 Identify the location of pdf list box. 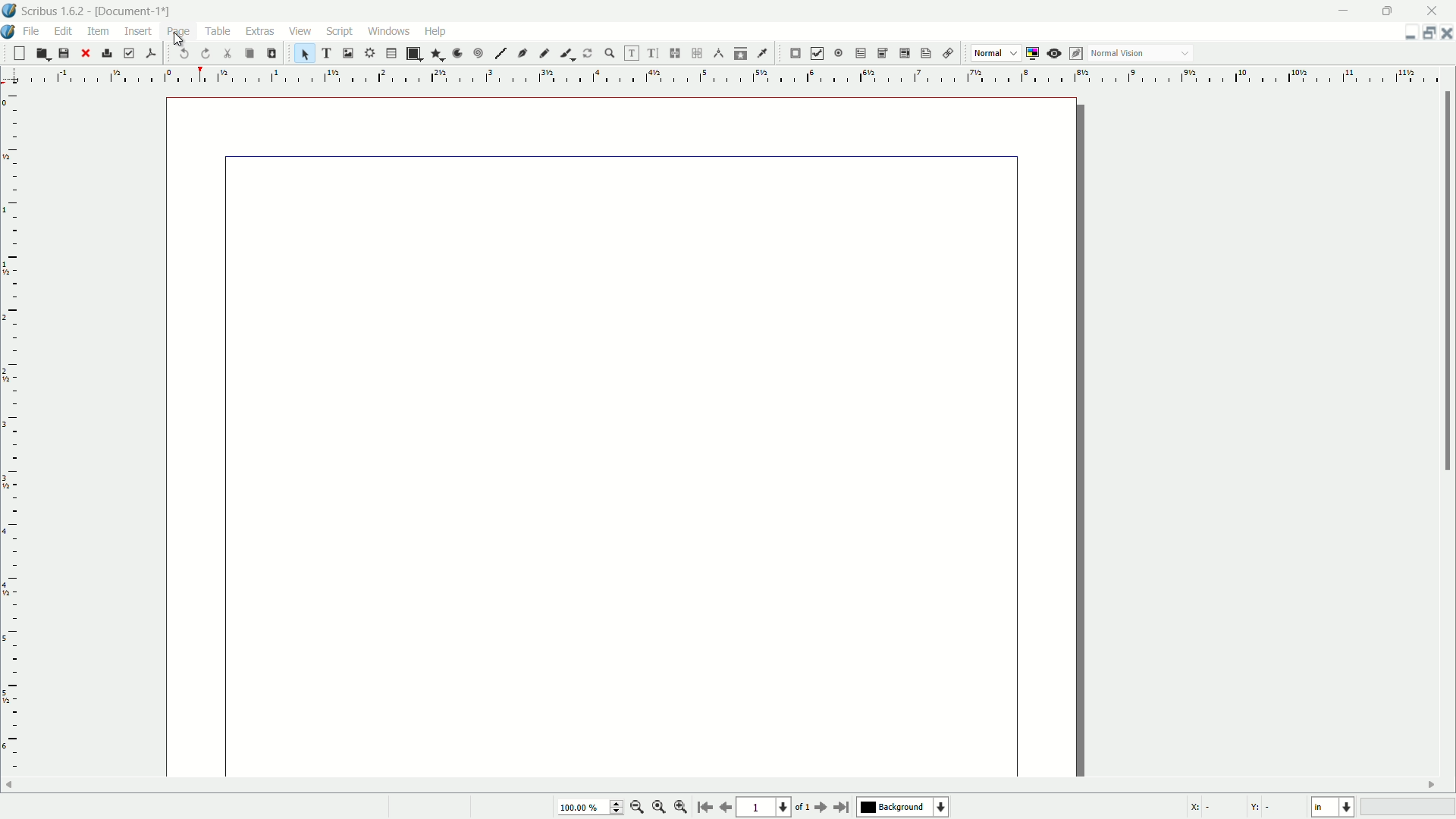
(902, 55).